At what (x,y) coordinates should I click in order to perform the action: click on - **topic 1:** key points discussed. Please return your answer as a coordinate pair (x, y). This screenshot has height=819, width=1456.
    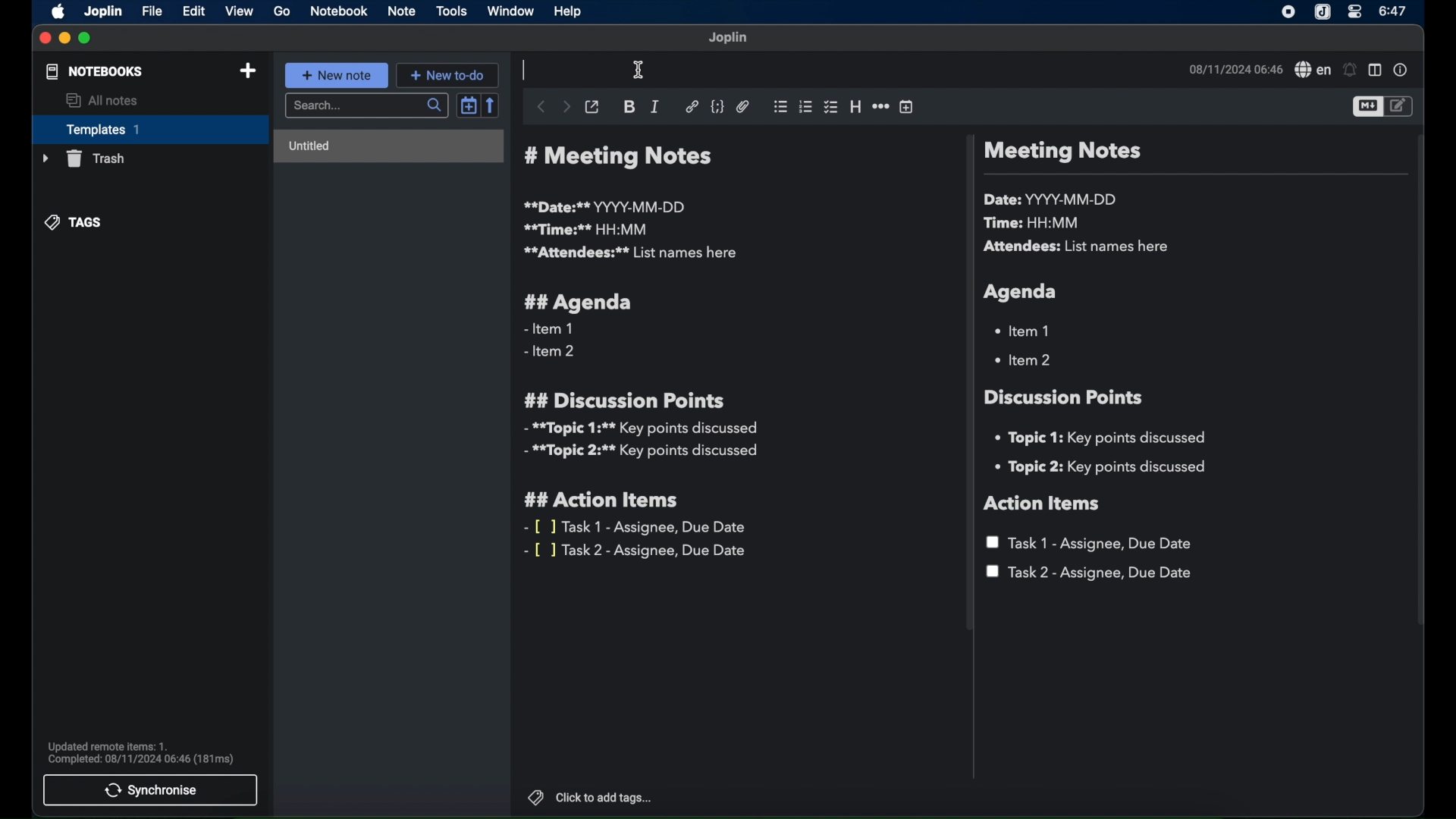
    Looking at the image, I should click on (639, 428).